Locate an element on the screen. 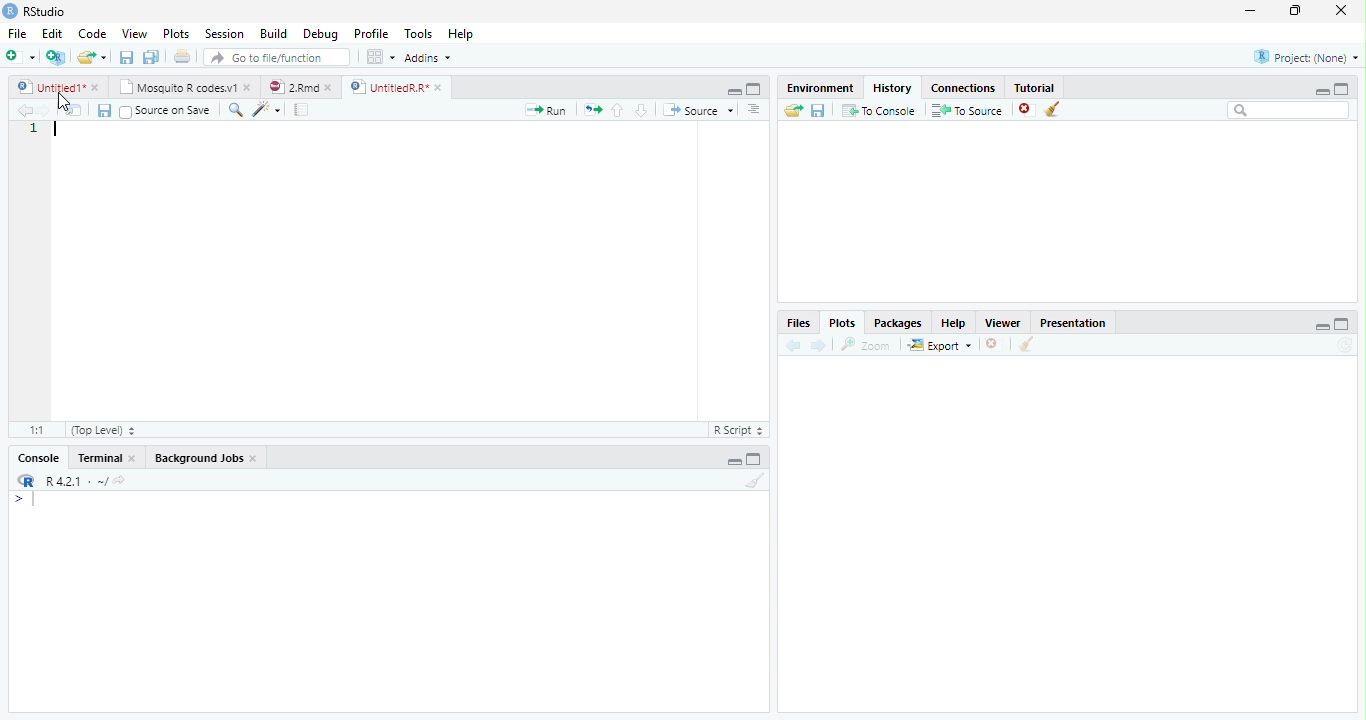  Save current document is located at coordinates (126, 56).